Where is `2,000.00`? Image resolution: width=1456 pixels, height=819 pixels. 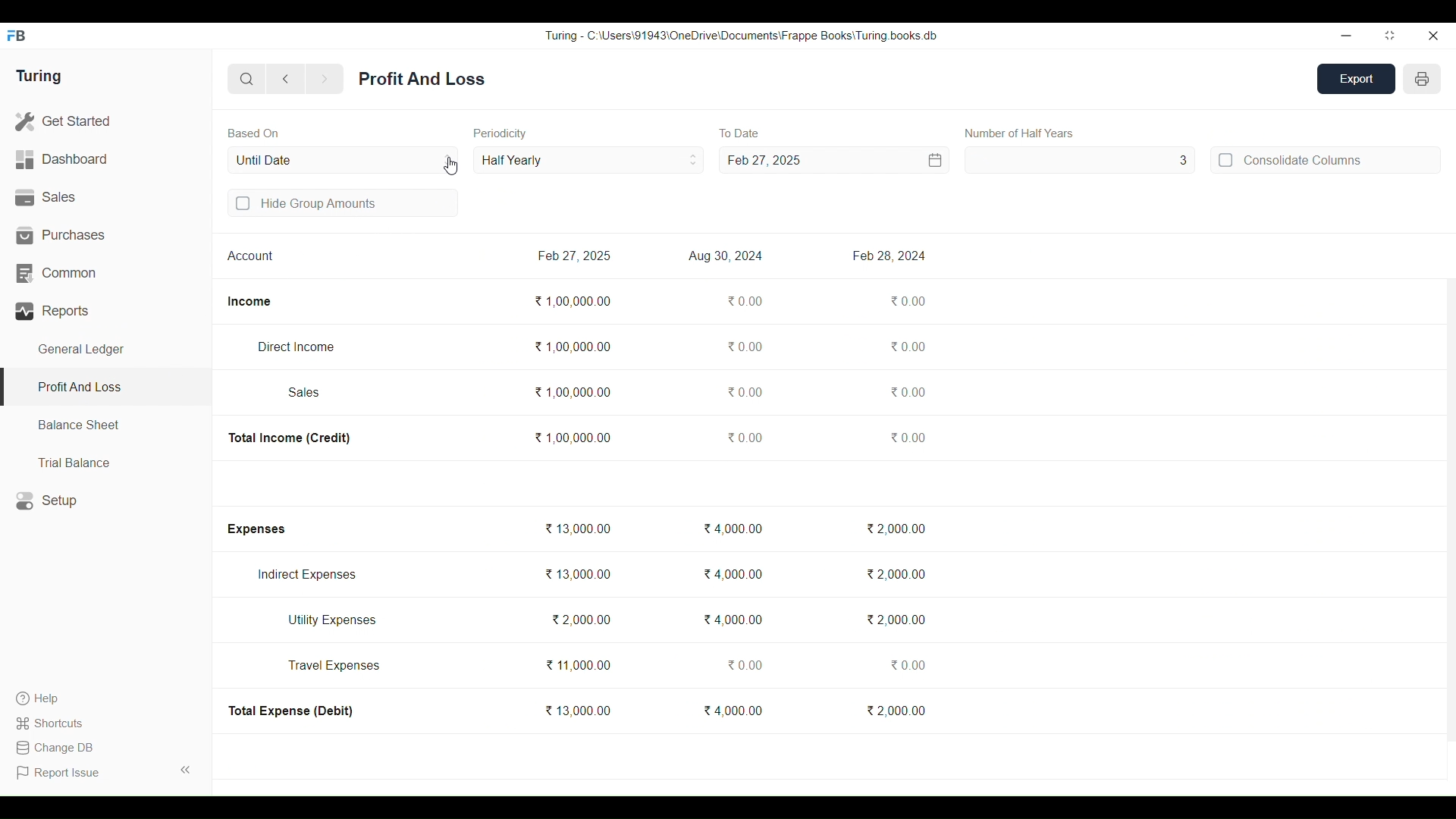
2,000.00 is located at coordinates (896, 620).